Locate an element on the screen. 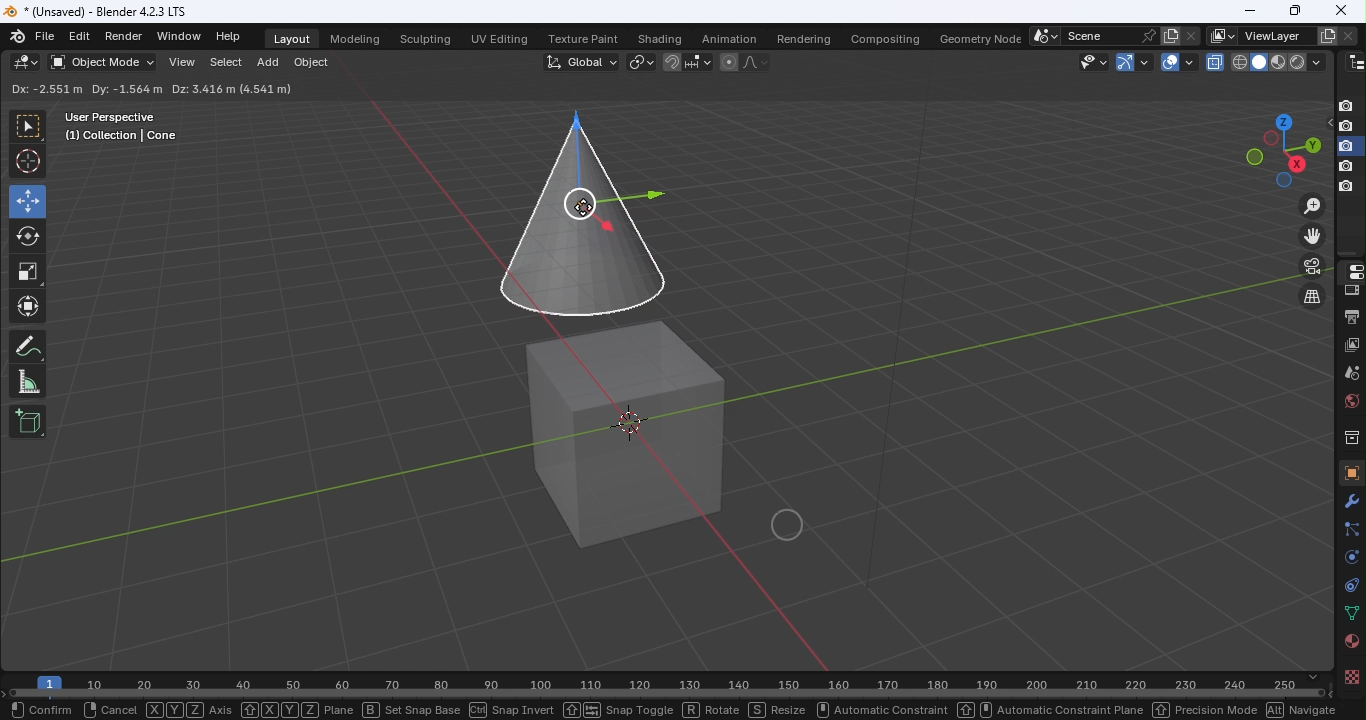  Toggle the camera view is located at coordinates (1314, 266).